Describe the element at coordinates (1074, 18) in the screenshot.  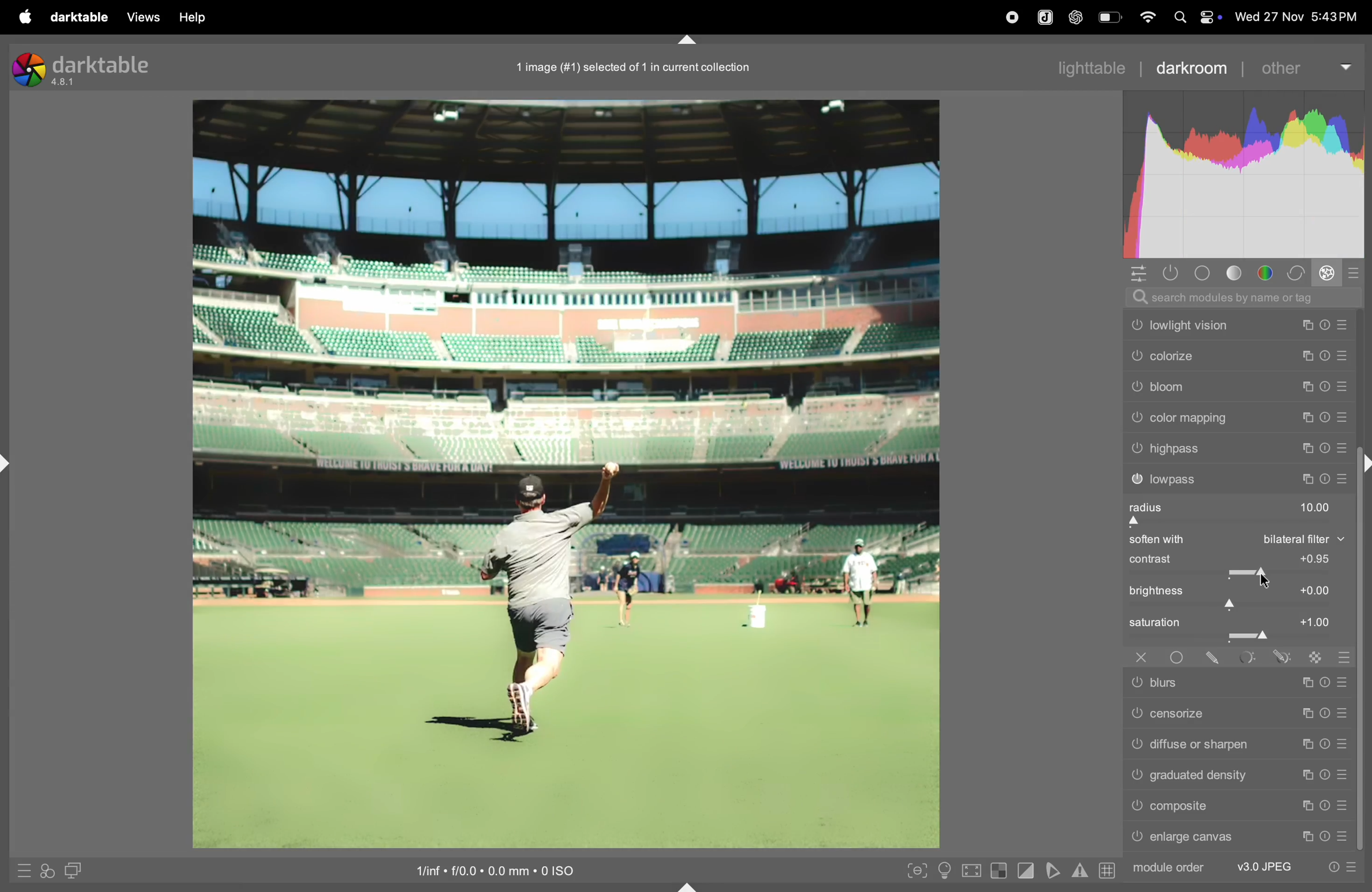
I see `chatgpt` at that location.